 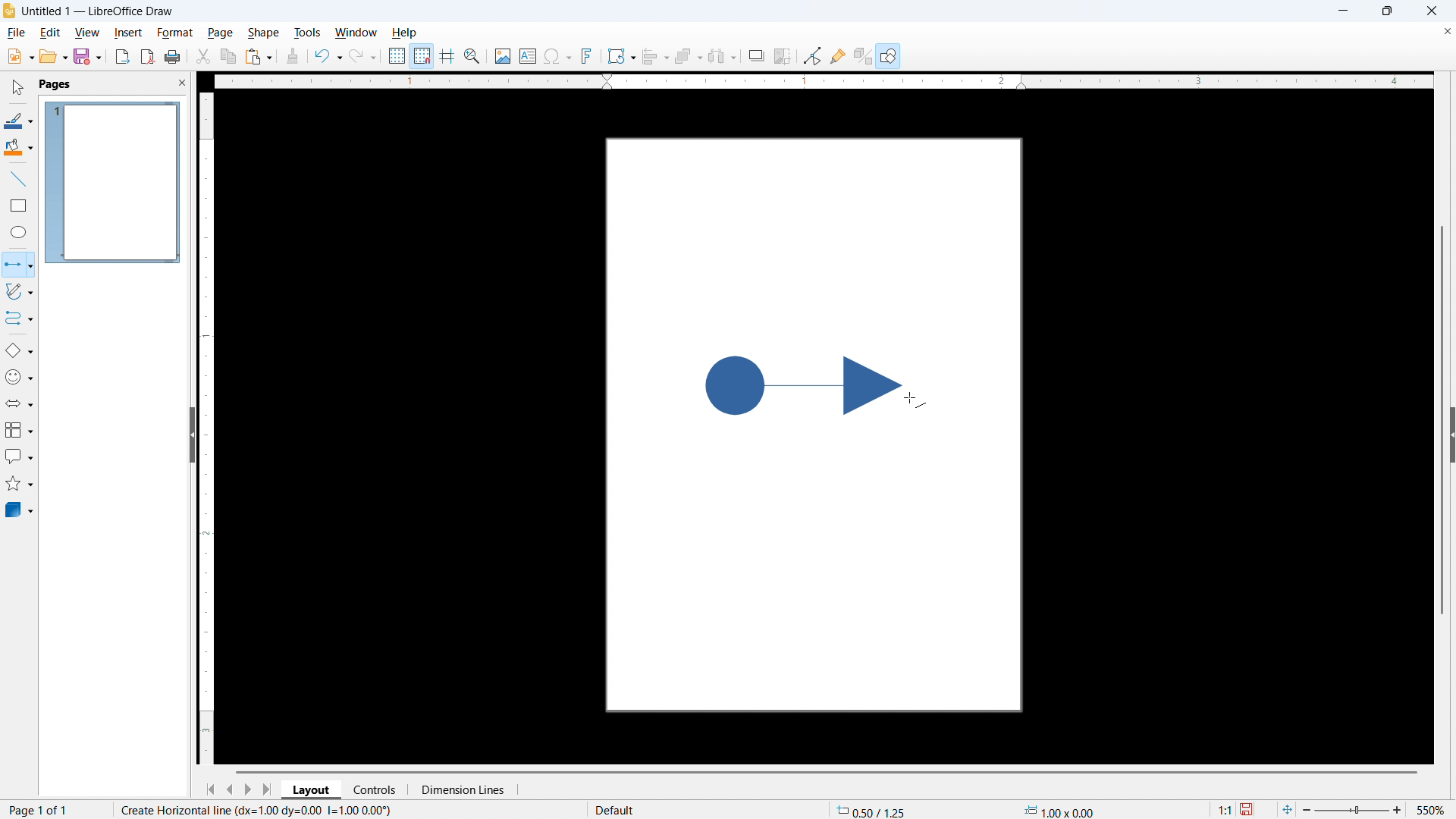 What do you see at coordinates (397, 56) in the screenshot?
I see `Use grid ` at bounding box center [397, 56].